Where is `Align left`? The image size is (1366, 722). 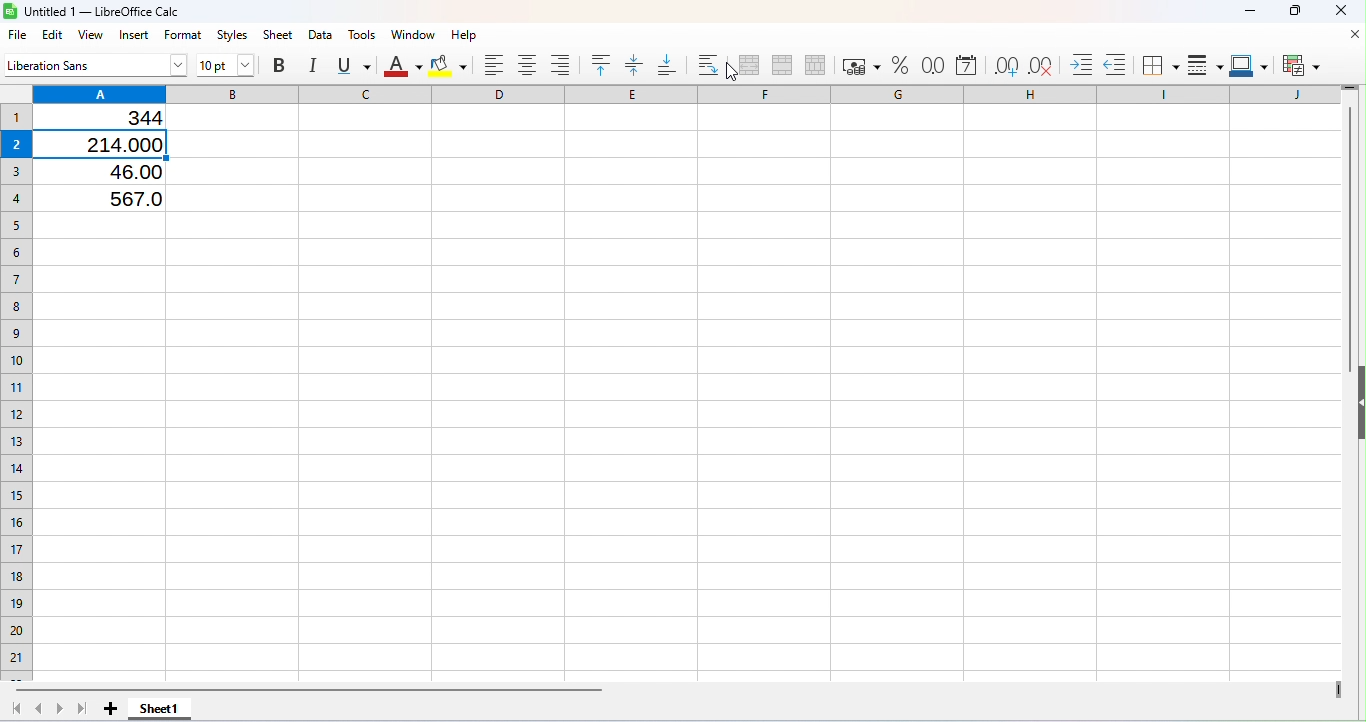 Align left is located at coordinates (497, 66).